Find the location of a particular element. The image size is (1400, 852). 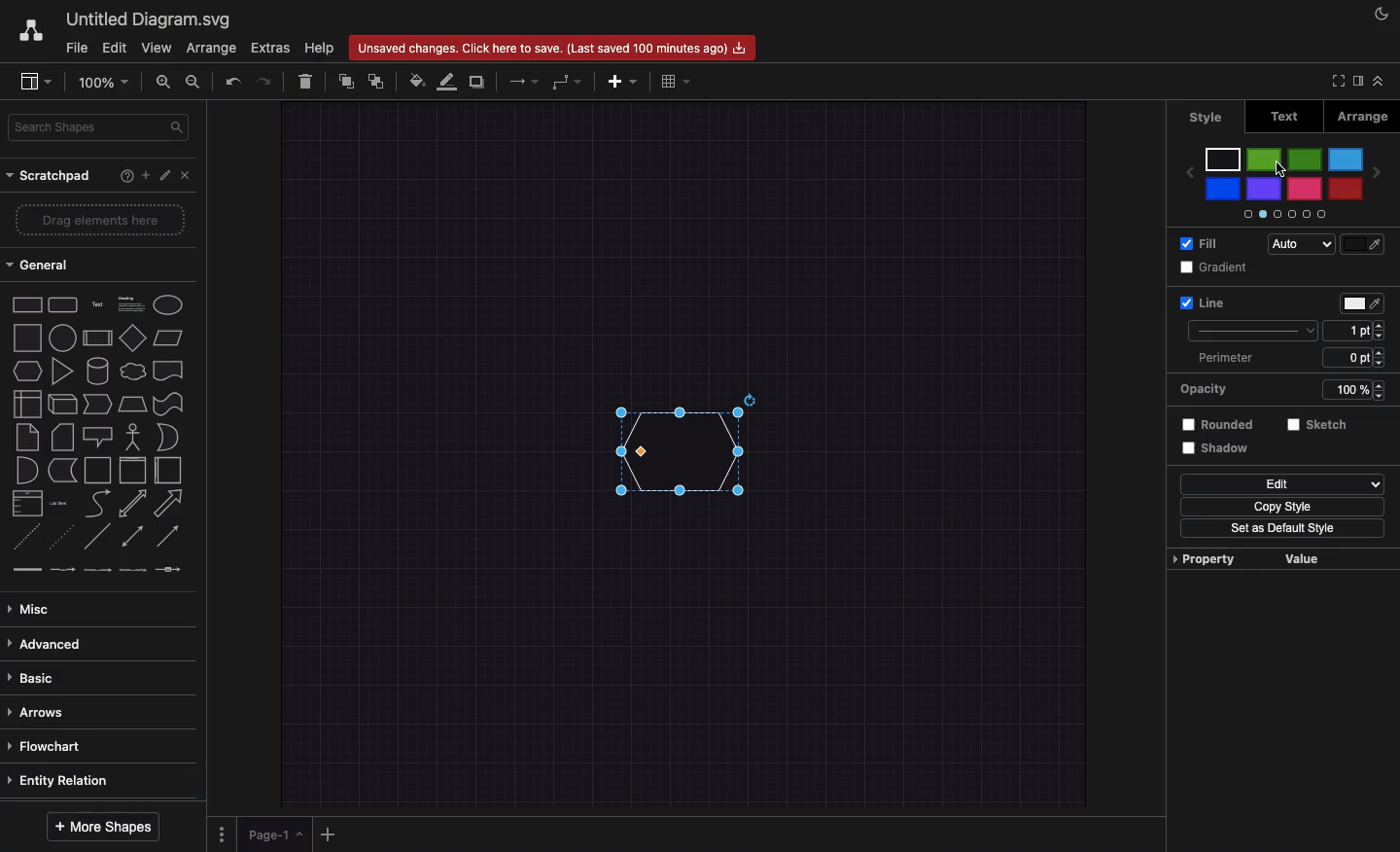

Page is located at coordinates (275, 835).